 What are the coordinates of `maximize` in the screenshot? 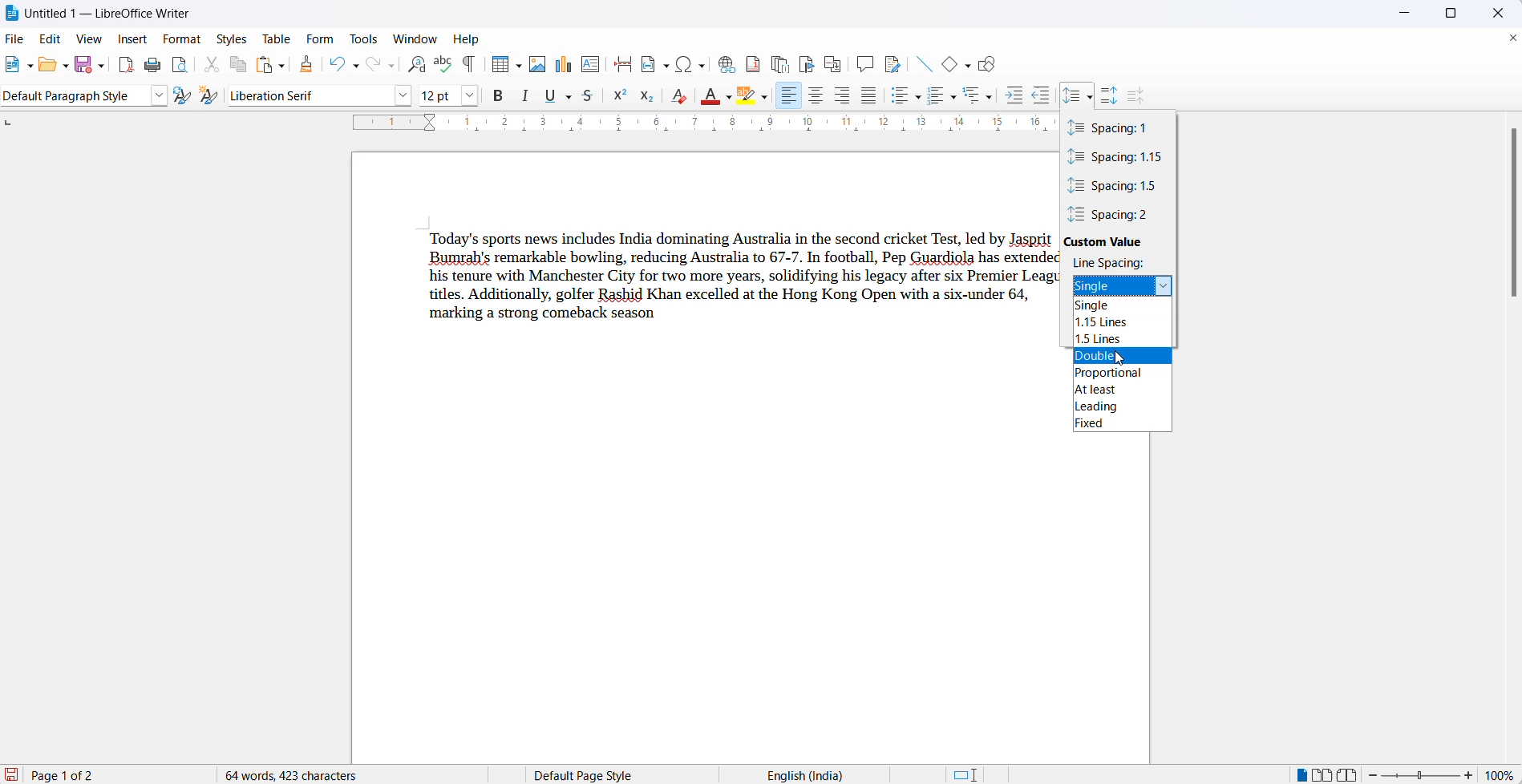 It's located at (1456, 14).